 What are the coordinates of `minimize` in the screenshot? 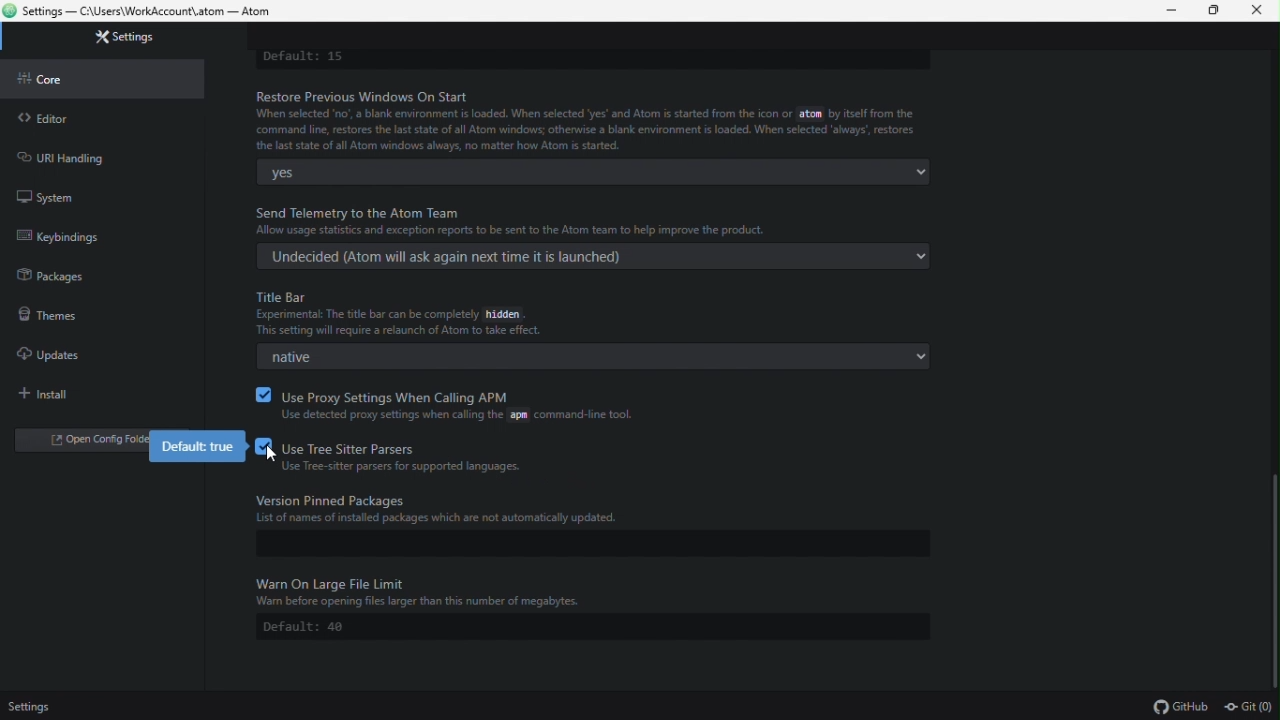 It's located at (1175, 11).